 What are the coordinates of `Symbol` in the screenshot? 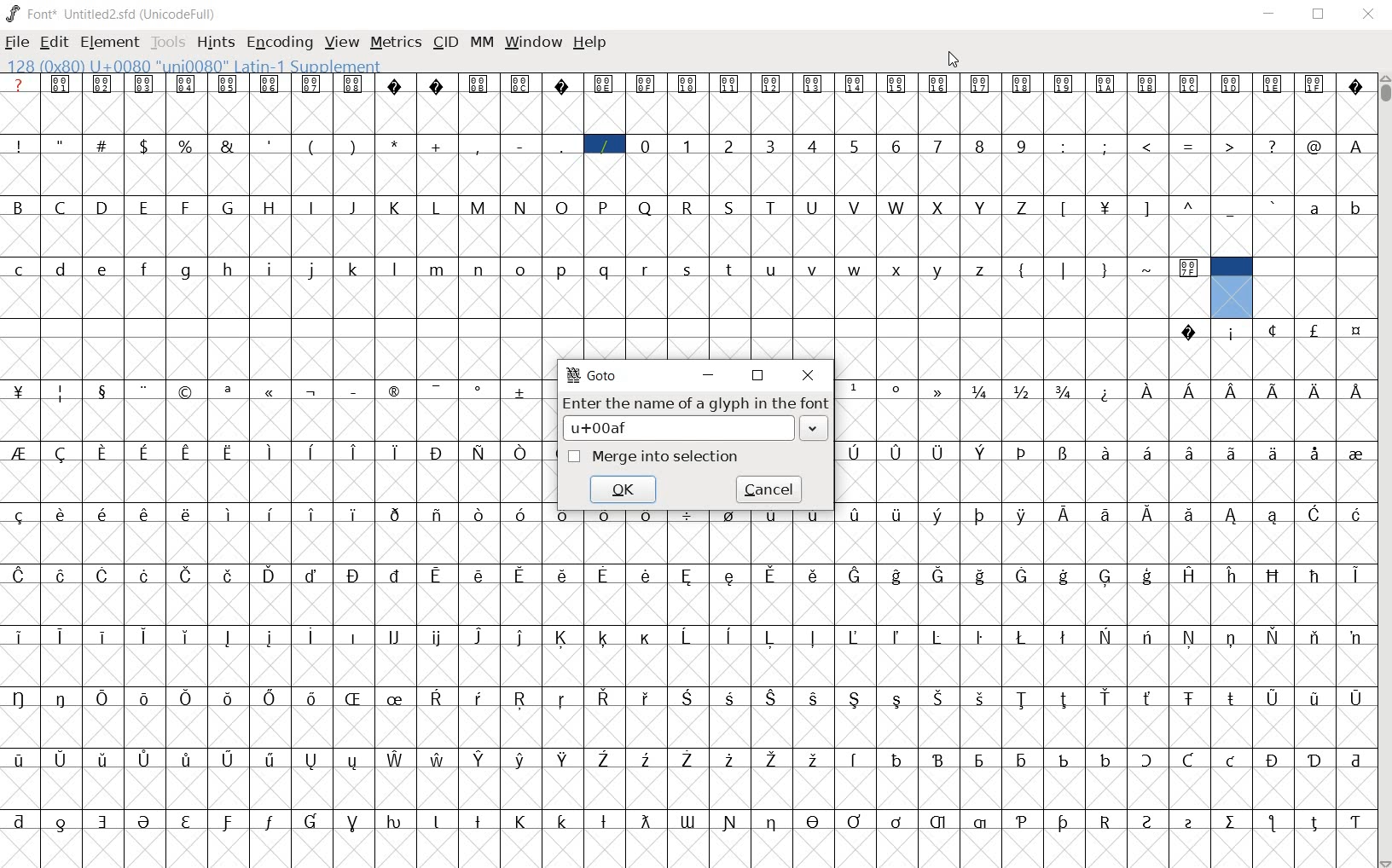 It's located at (397, 575).